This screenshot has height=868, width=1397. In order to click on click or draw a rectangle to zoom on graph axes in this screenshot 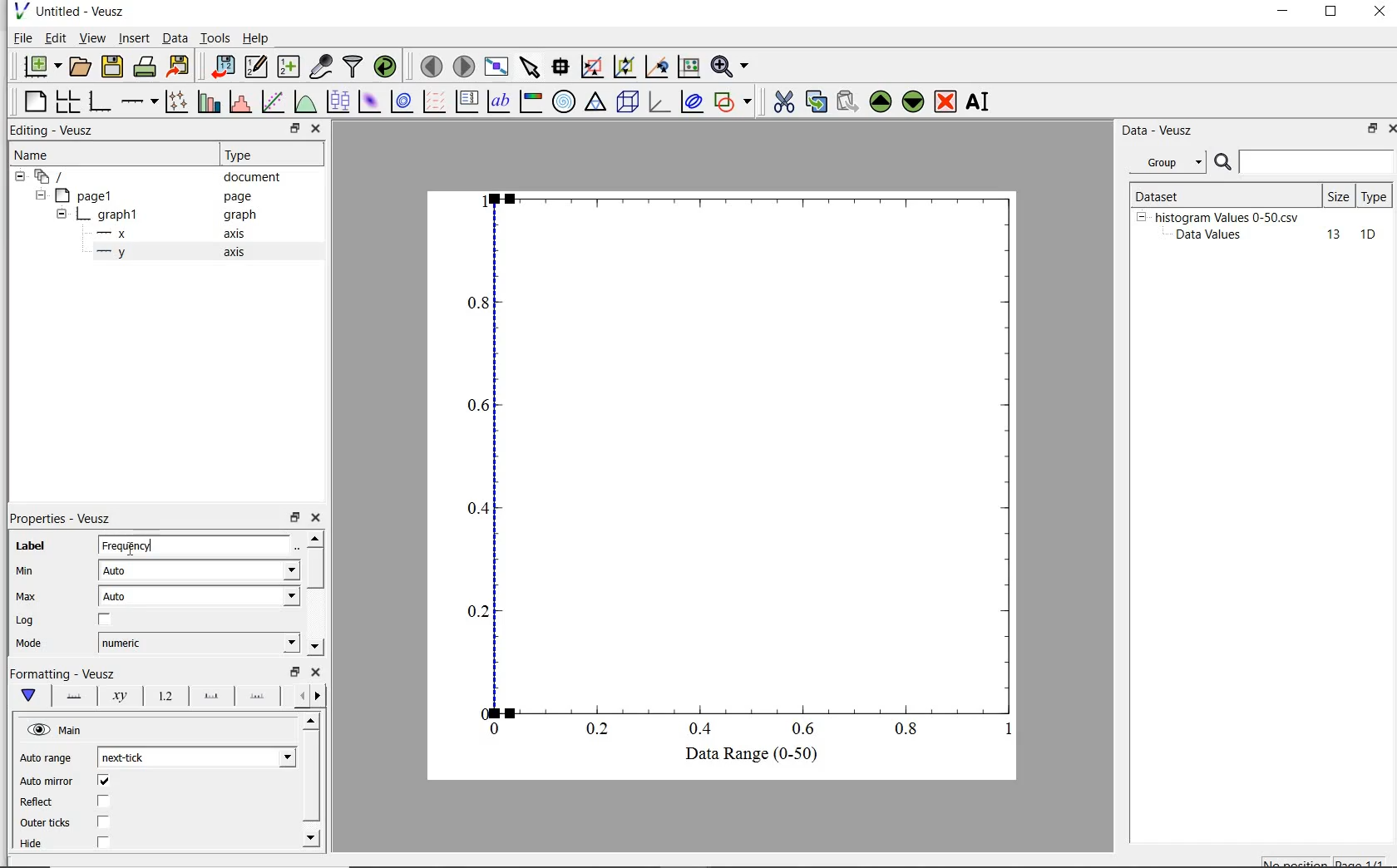, I will do `click(624, 67)`.